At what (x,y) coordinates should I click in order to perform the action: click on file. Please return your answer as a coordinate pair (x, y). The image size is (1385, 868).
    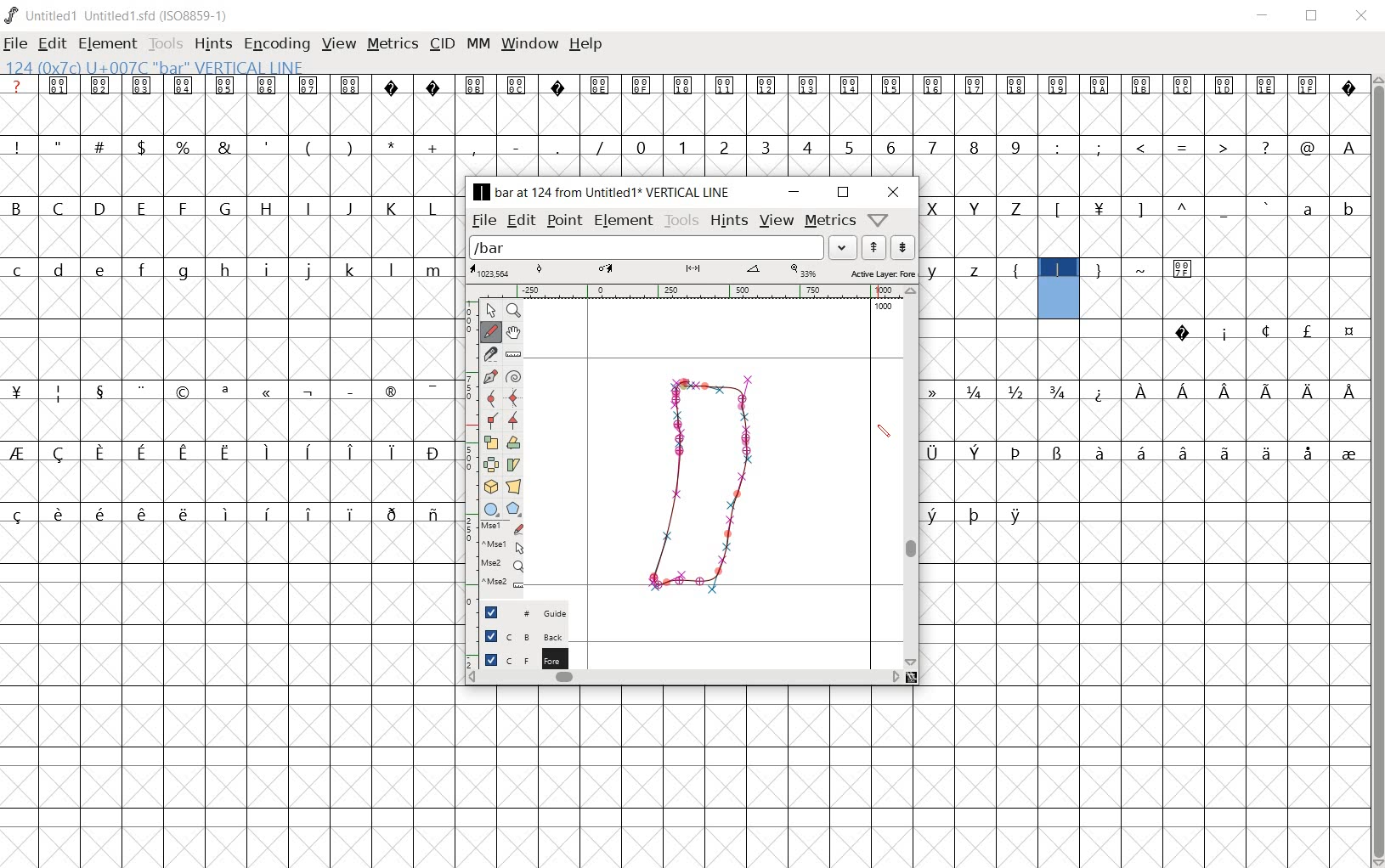
    Looking at the image, I should click on (483, 222).